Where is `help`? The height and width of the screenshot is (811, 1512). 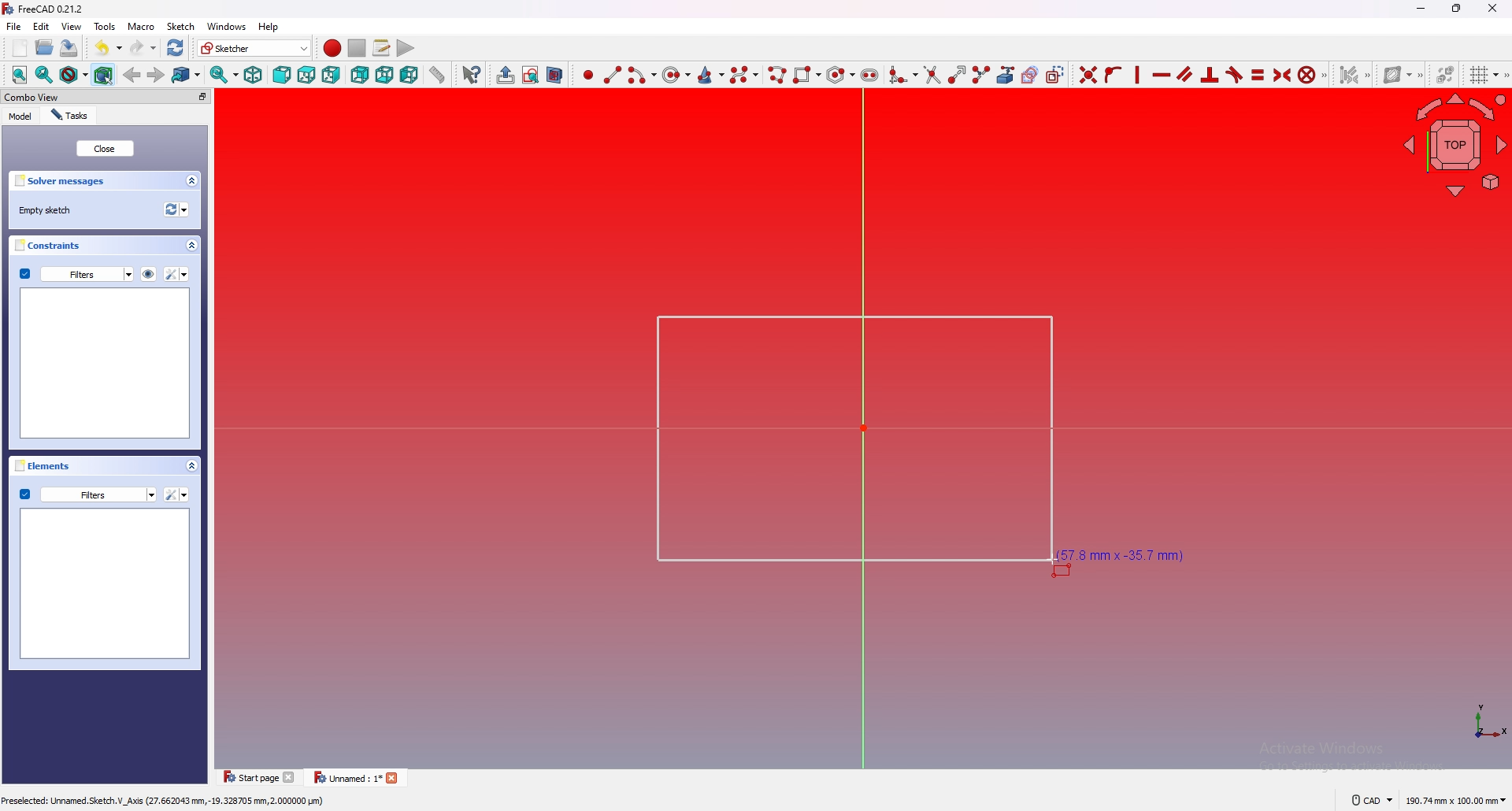 help is located at coordinates (271, 26).